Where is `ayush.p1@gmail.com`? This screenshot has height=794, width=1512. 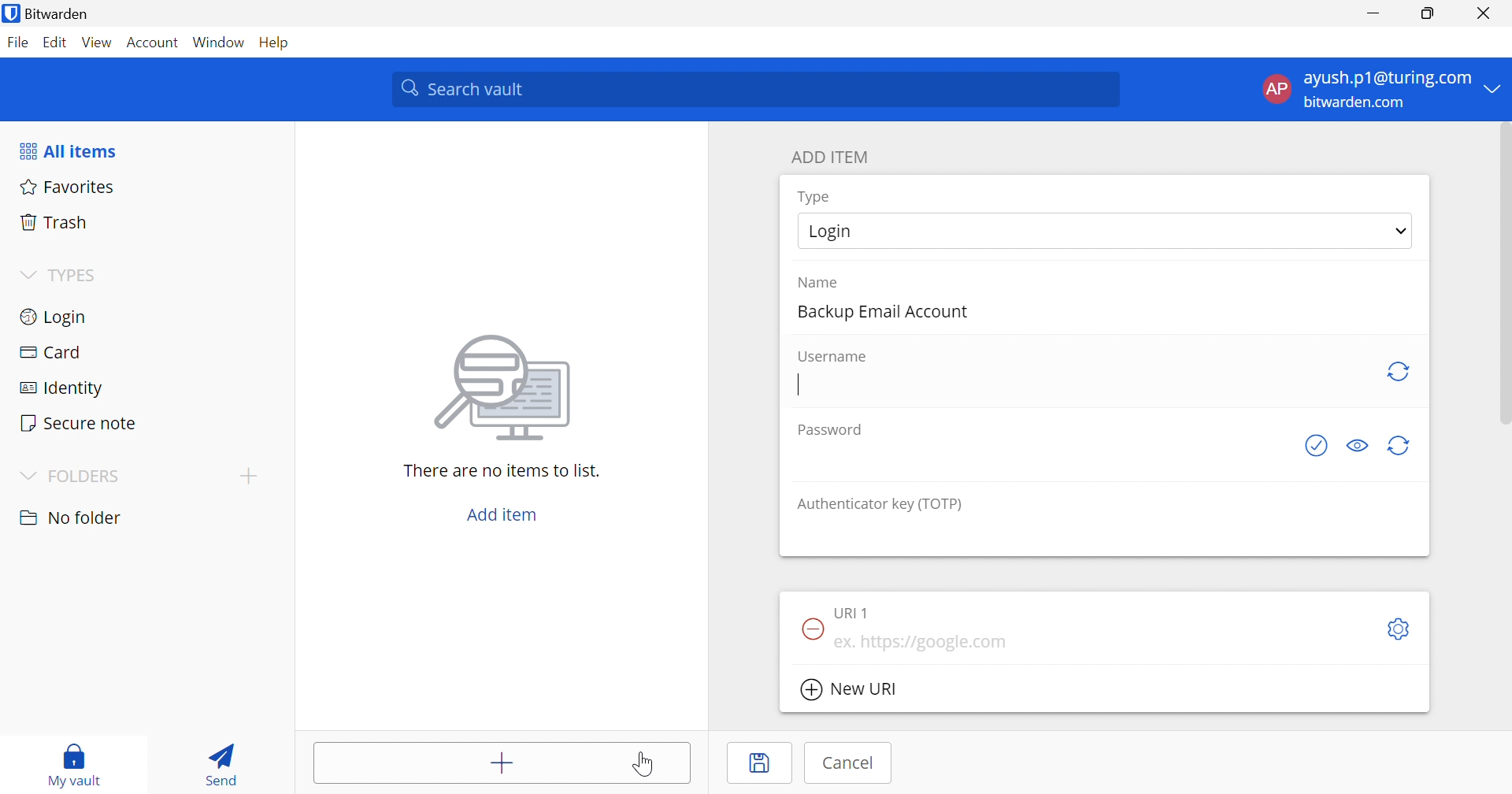 ayush.p1@gmail.com is located at coordinates (1385, 78).